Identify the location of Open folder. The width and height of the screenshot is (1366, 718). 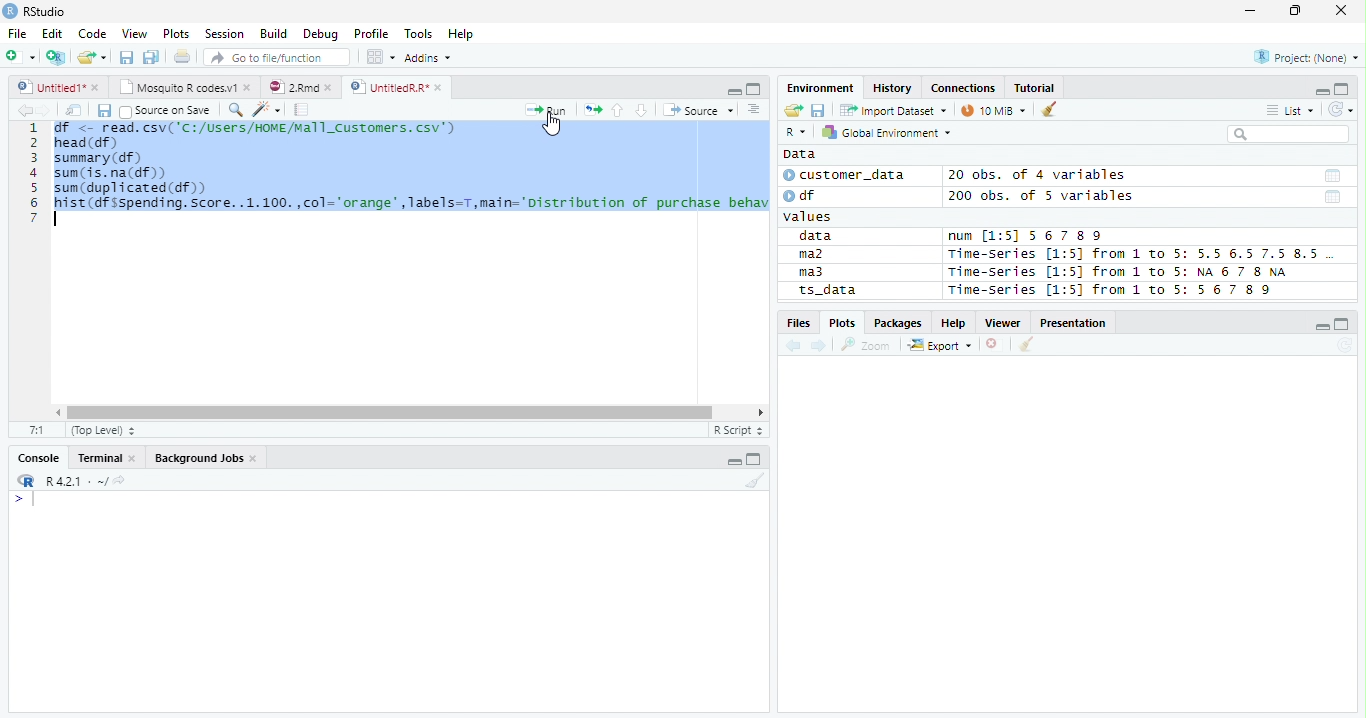
(791, 111).